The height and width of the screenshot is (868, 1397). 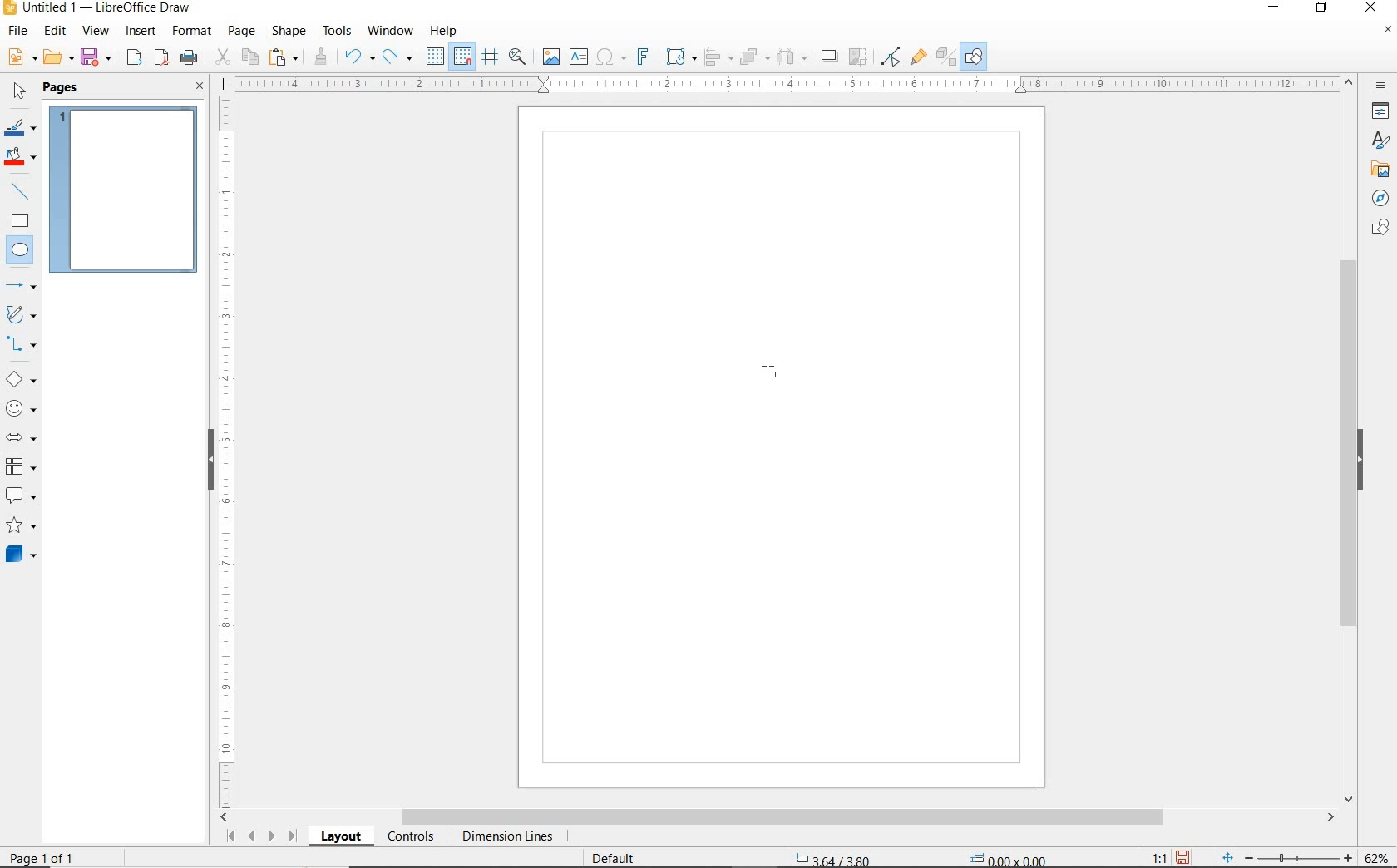 I want to click on RECTANGLE, so click(x=20, y=223).